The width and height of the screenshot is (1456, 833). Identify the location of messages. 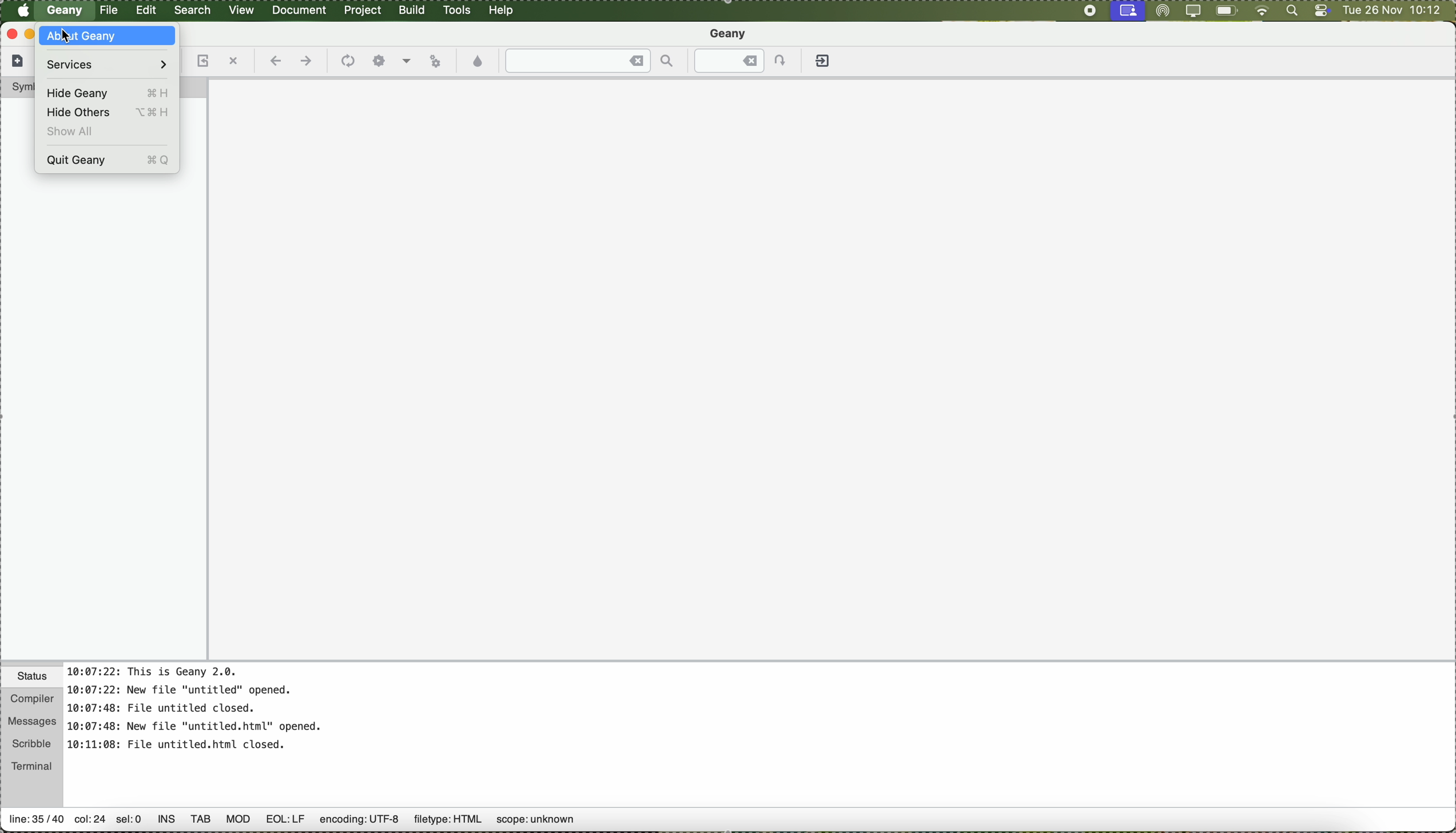
(32, 719).